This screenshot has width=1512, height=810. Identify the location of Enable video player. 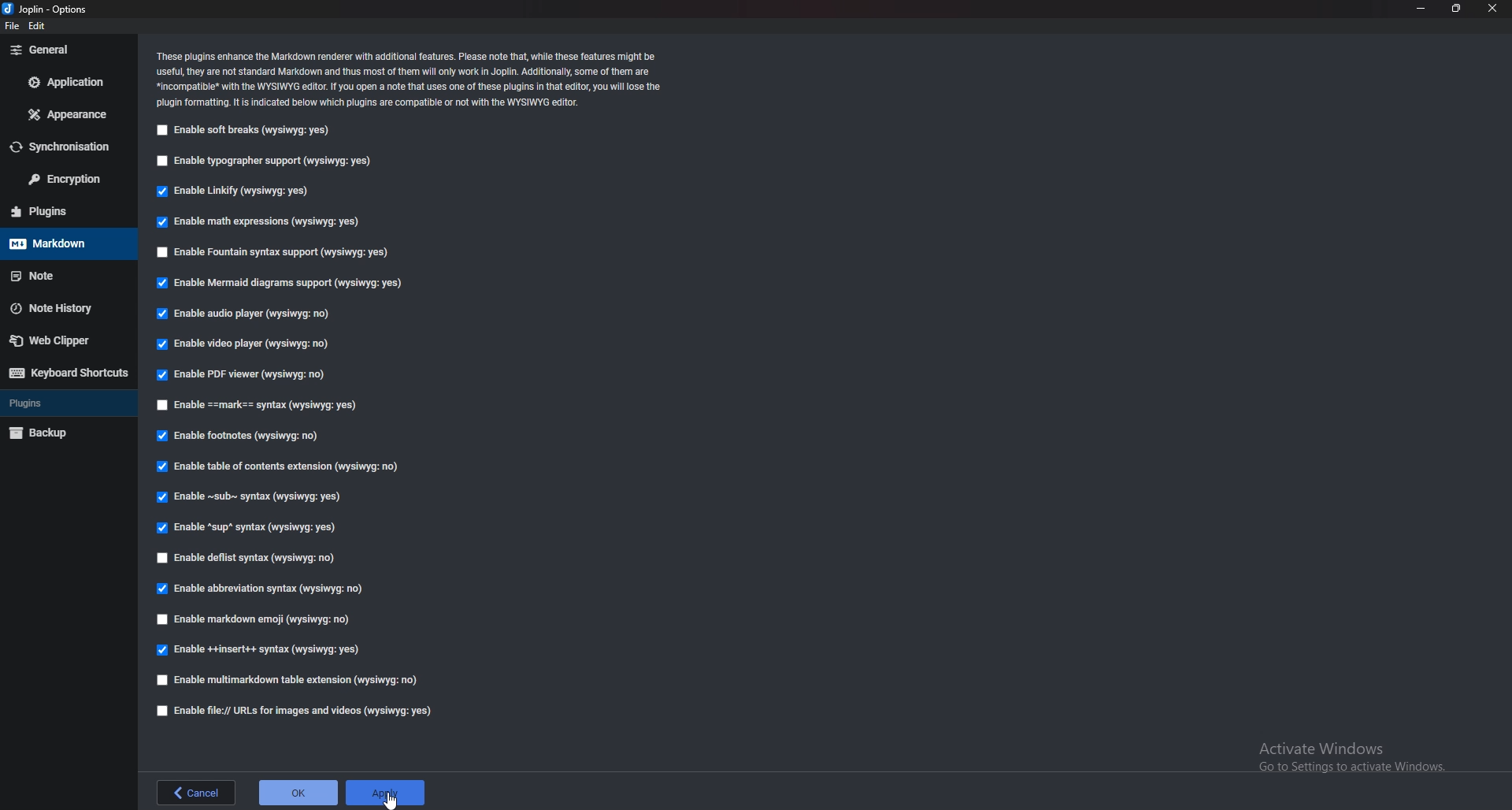
(251, 343).